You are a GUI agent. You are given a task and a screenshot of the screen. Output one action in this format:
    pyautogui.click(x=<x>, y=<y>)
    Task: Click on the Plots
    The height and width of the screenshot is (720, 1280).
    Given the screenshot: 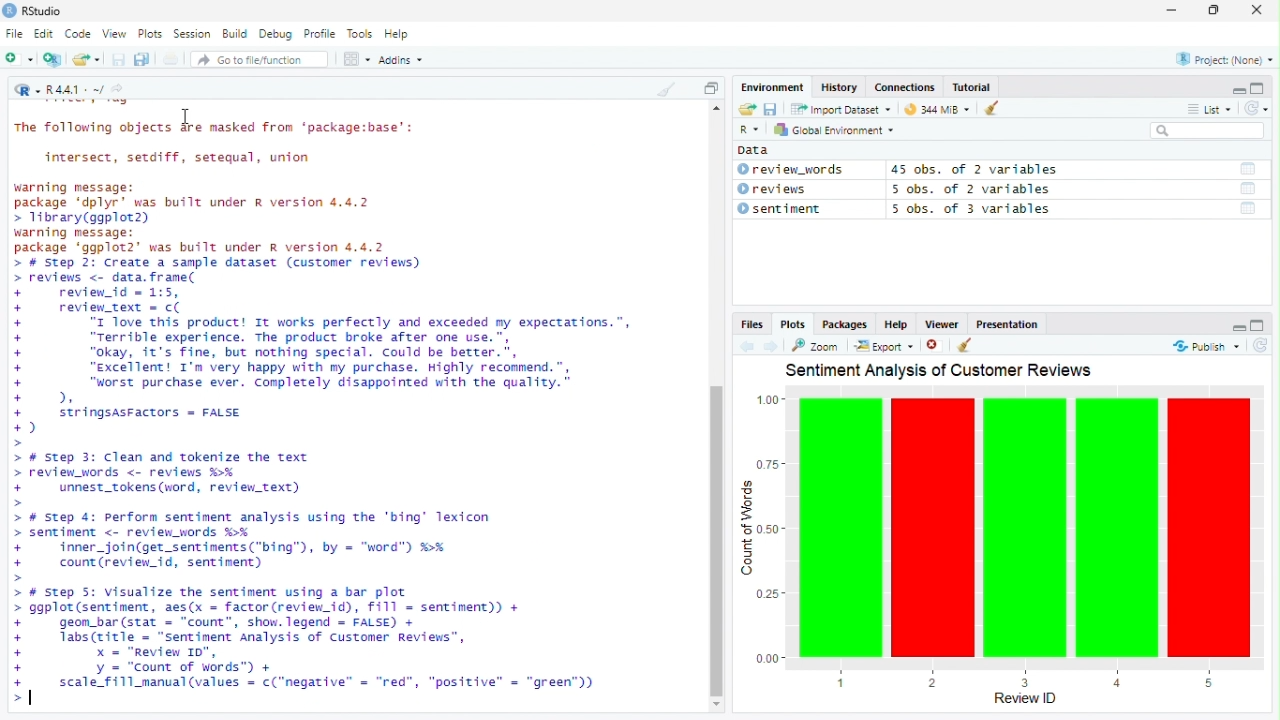 What is the action you would take?
    pyautogui.click(x=794, y=325)
    